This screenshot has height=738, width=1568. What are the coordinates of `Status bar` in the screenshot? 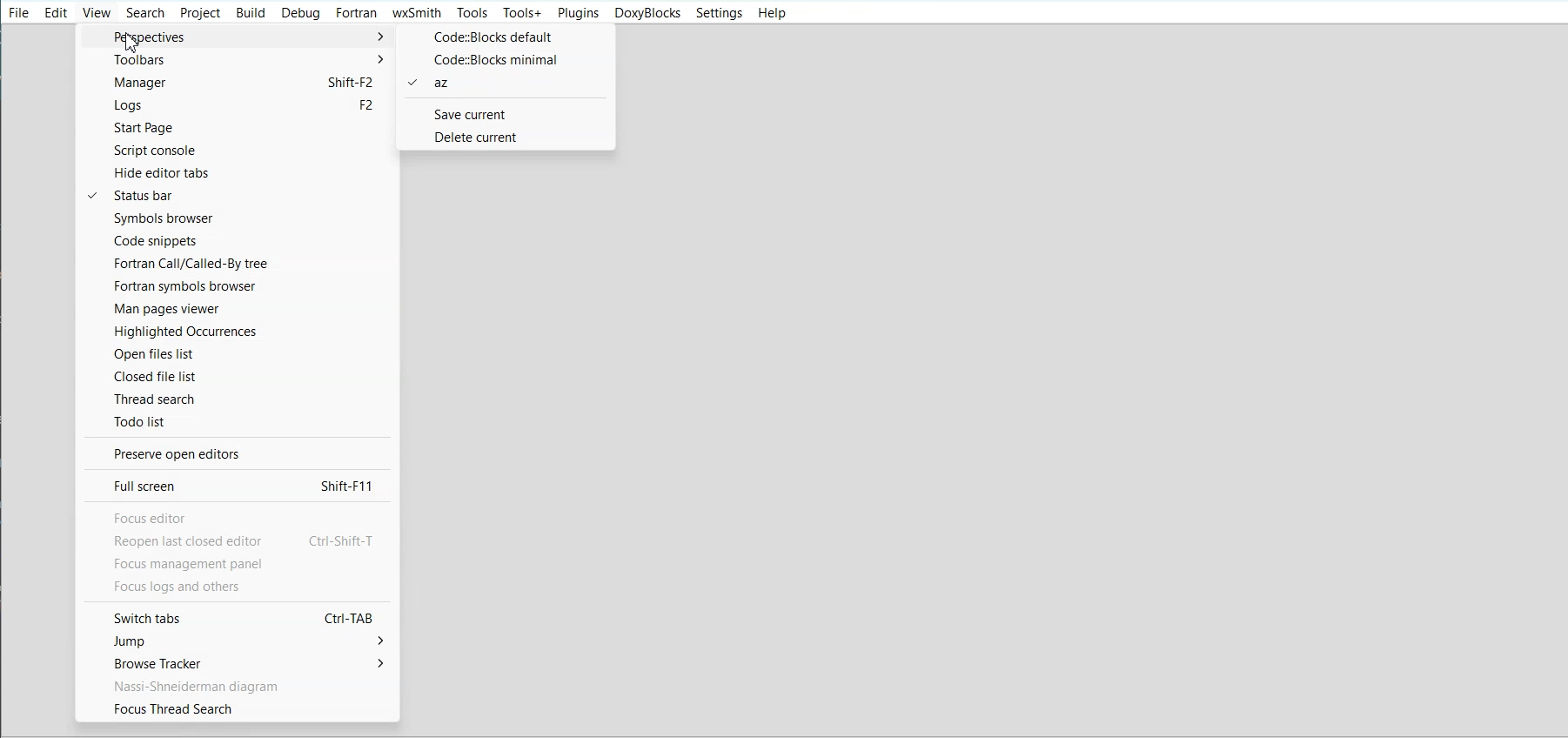 It's located at (239, 195).